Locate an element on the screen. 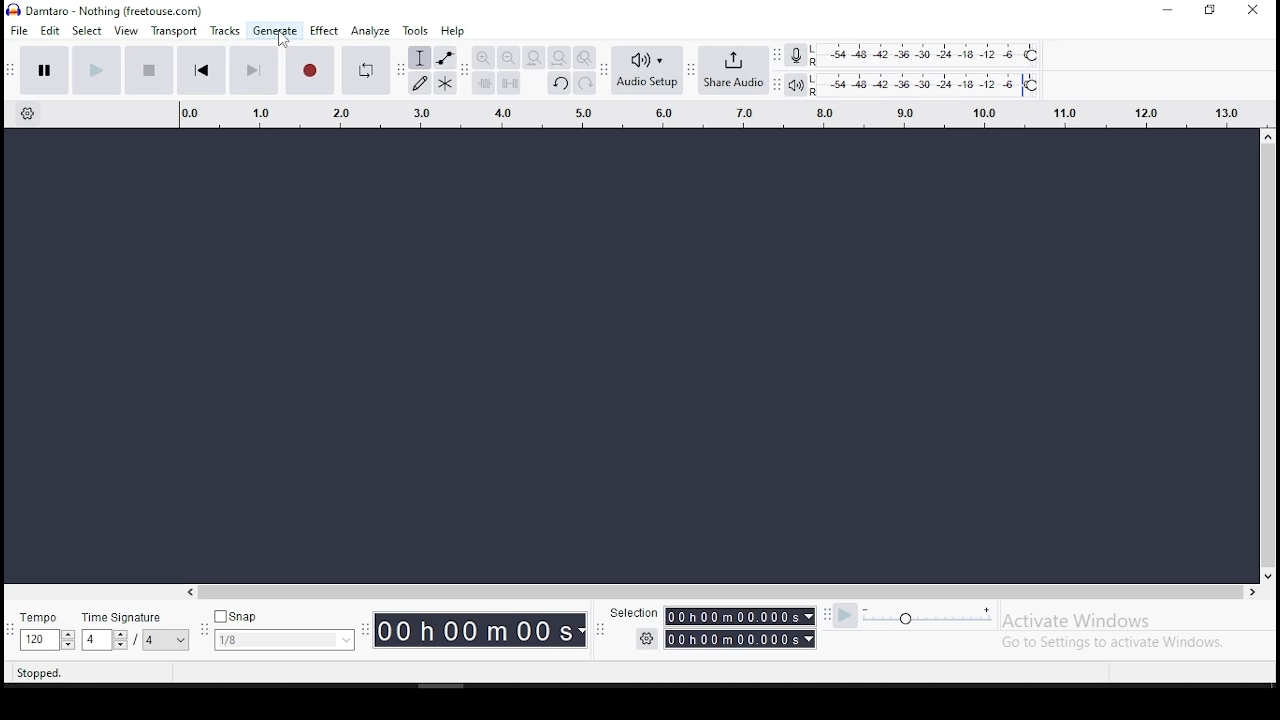 This screenshot has height=720, width=1280. tools is located at coordinates (417, 31).